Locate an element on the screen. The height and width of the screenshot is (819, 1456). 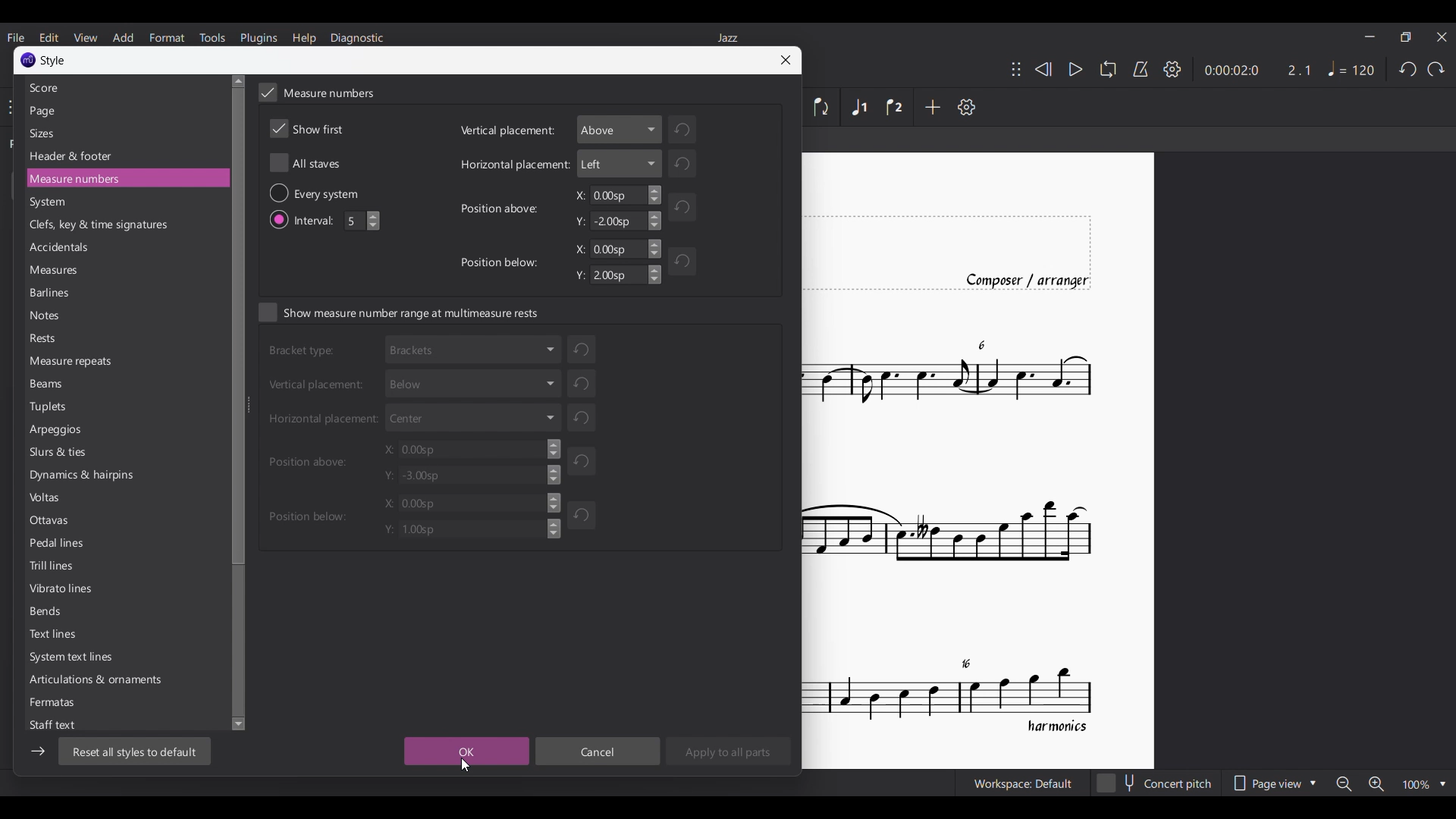
Add menu is located at coordinates (123, 38).